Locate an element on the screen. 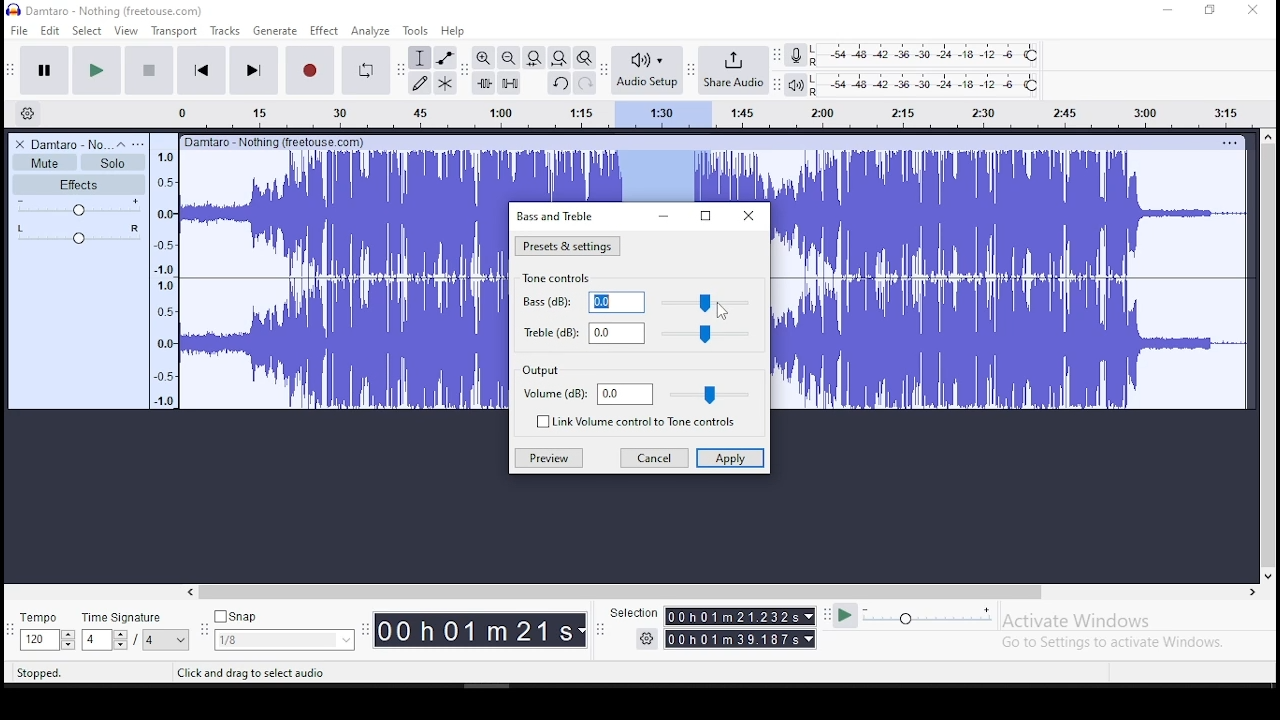 The image size is (1280, 720). Maximize is located at coordinates (1210, 10).